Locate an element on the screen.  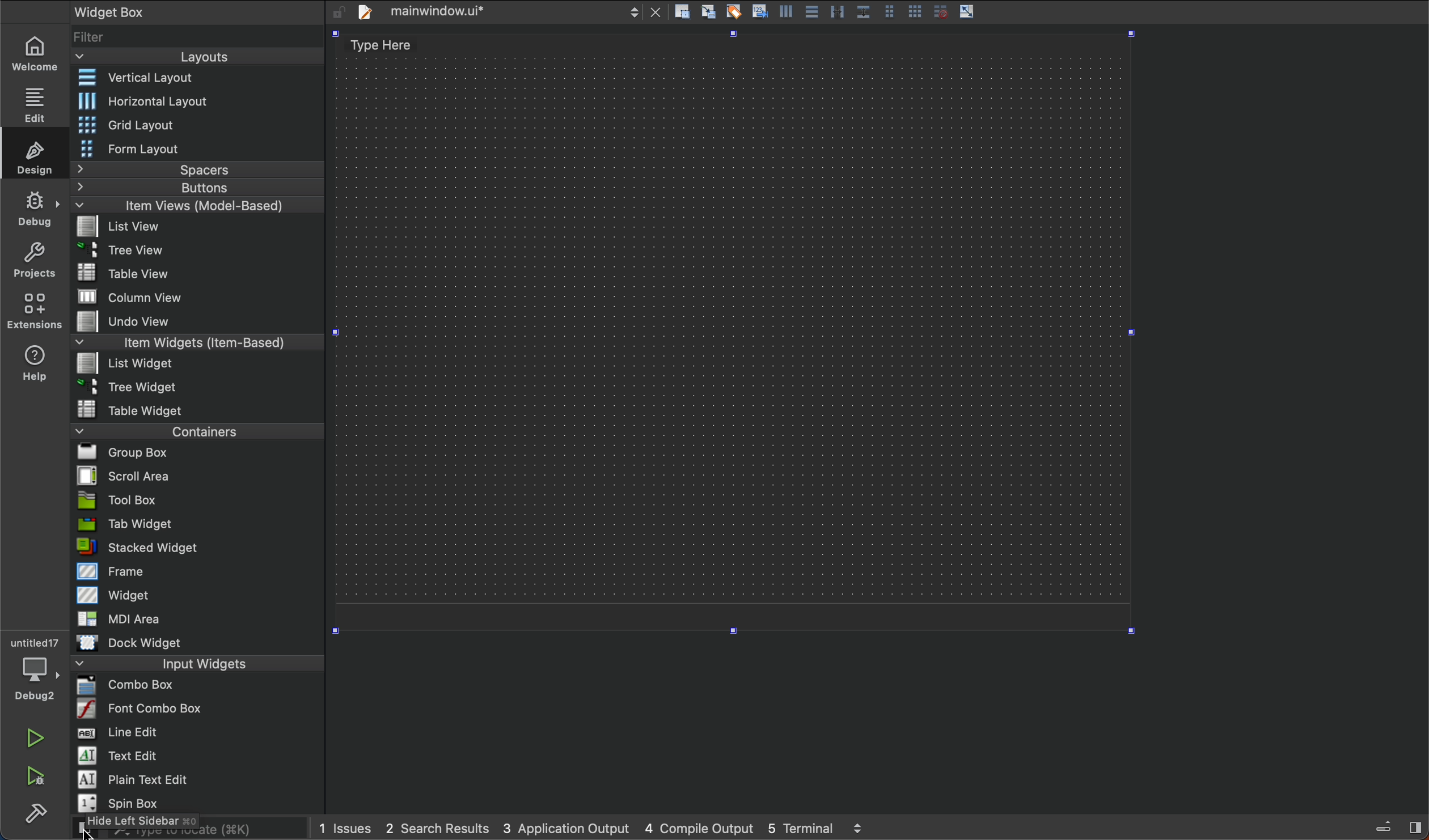
4 Compile Output is located at coordinates (697, 827).